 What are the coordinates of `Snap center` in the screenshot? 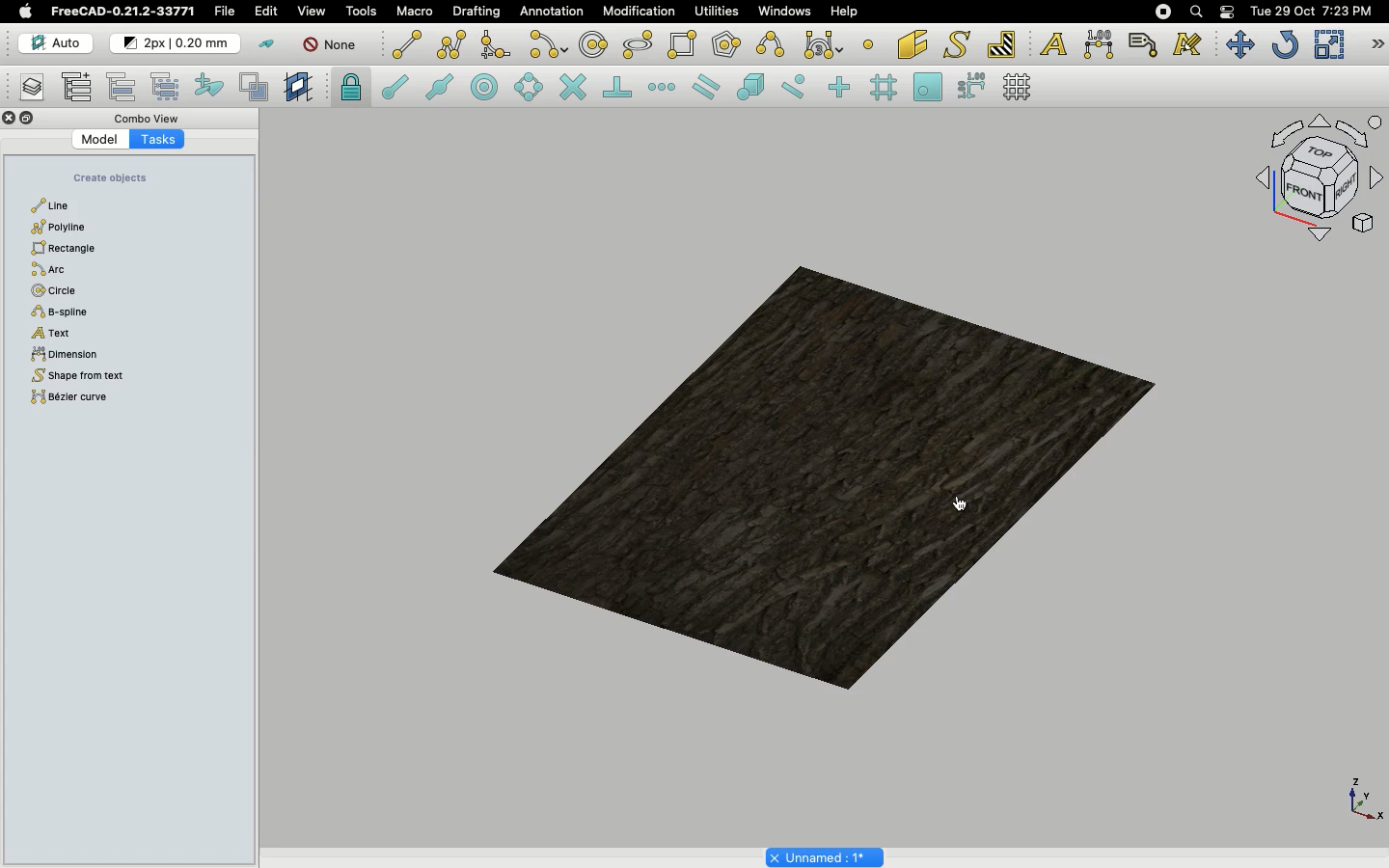 It's located at (482, 88).